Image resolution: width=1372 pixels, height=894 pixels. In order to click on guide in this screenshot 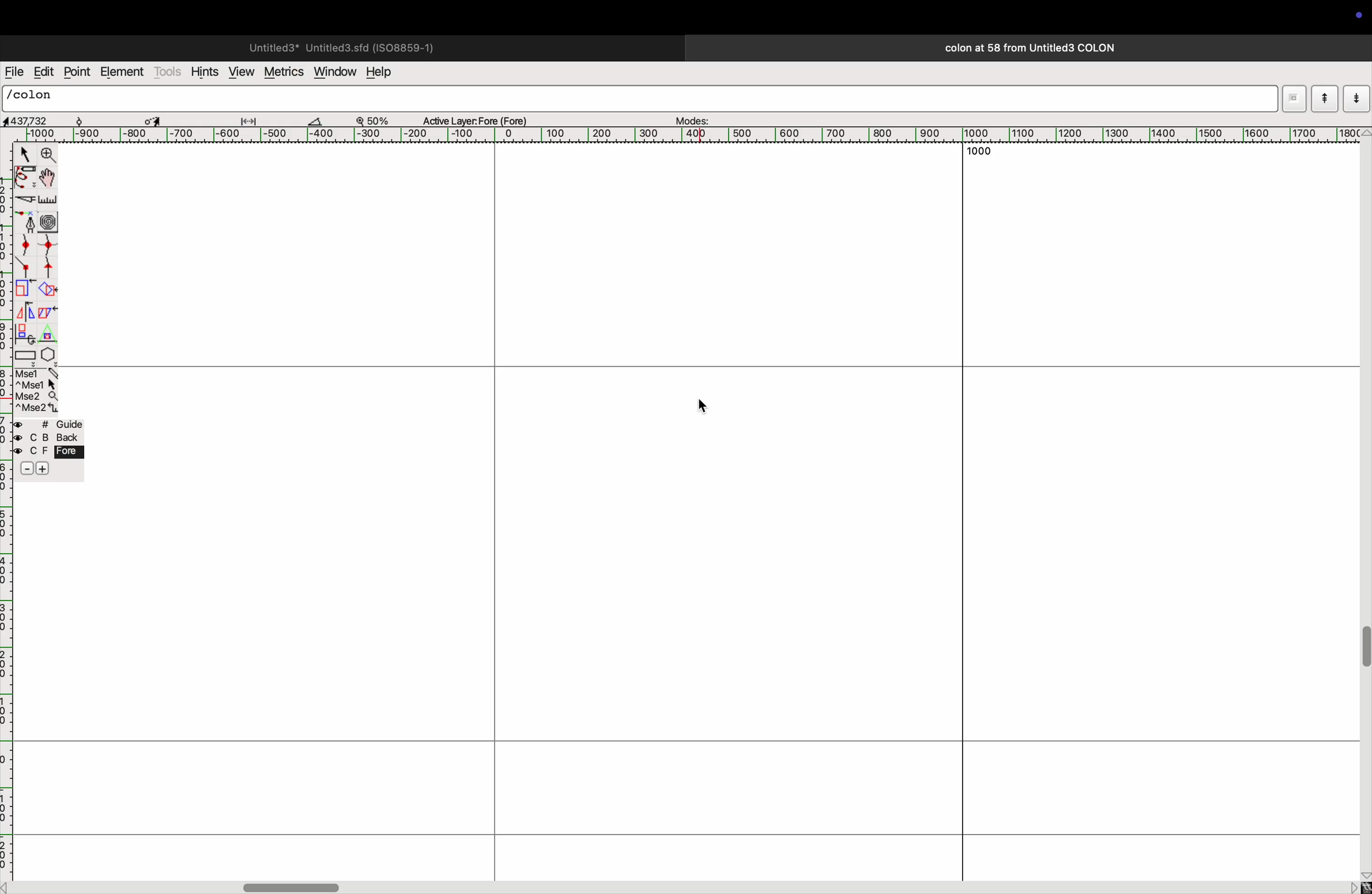, I will do `click(52, 449)`.